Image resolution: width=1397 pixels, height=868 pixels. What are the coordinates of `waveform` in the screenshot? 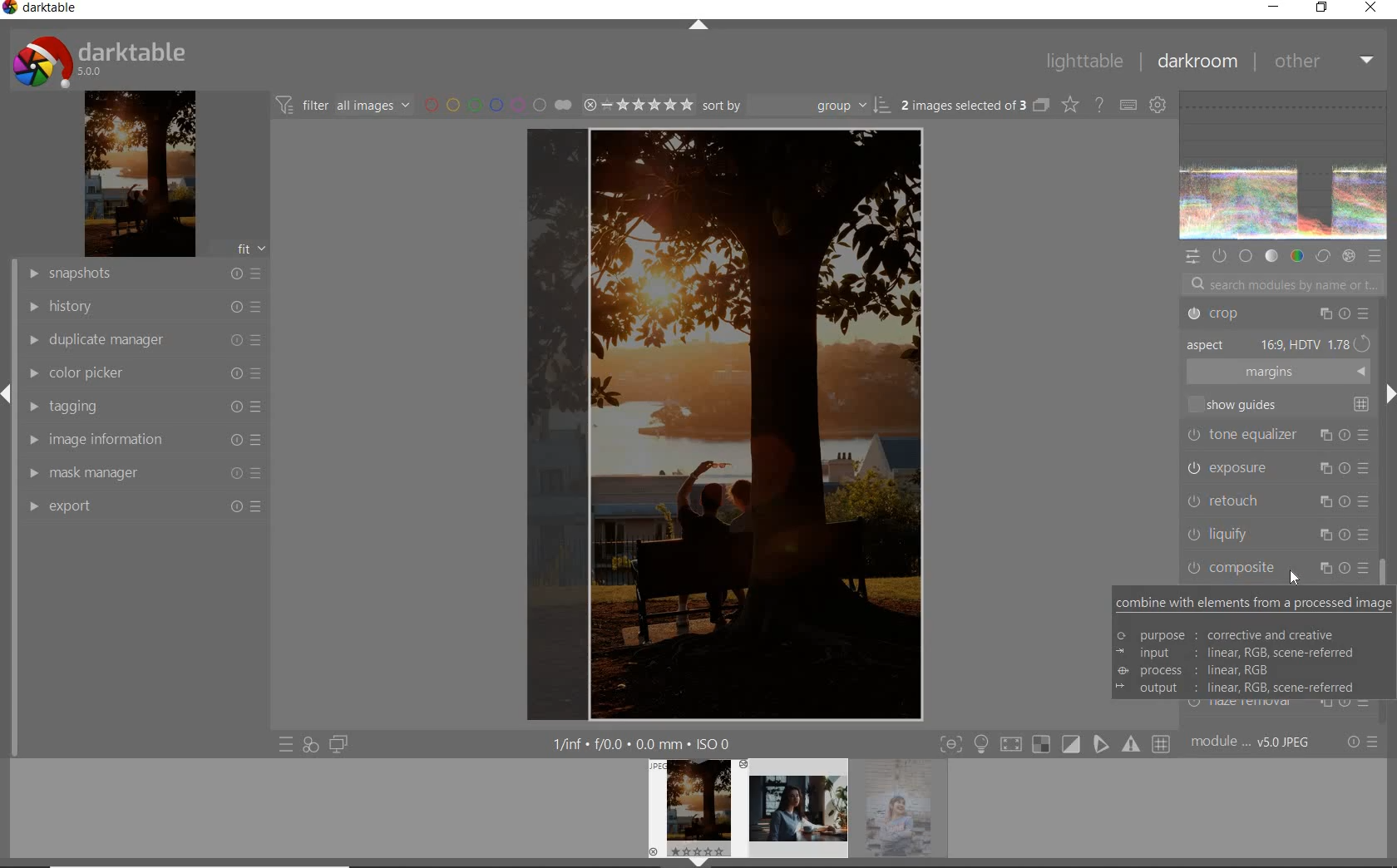 It's located at (1283, 167).